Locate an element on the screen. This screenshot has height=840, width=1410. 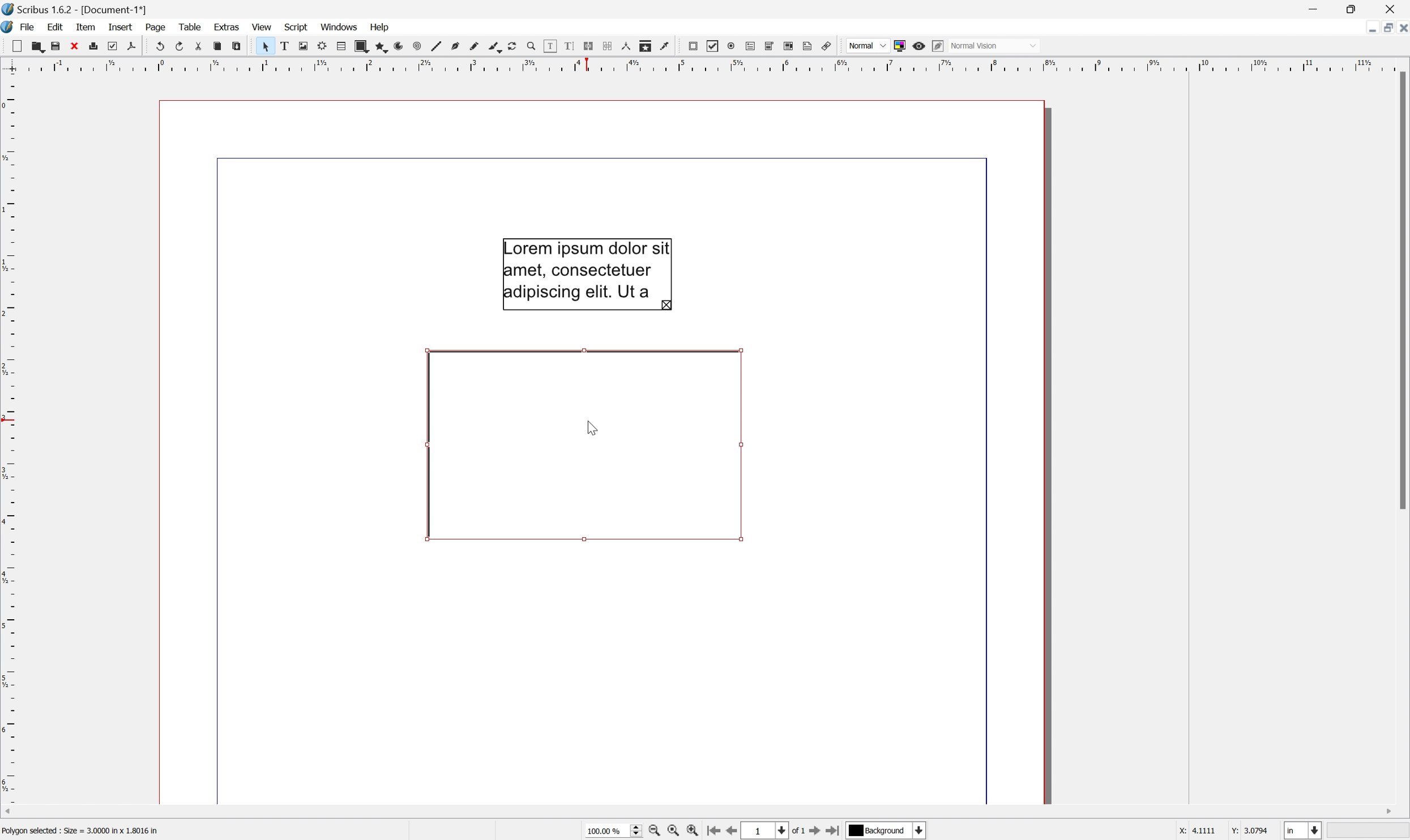
Cursor is located at coordinates (595, 429).